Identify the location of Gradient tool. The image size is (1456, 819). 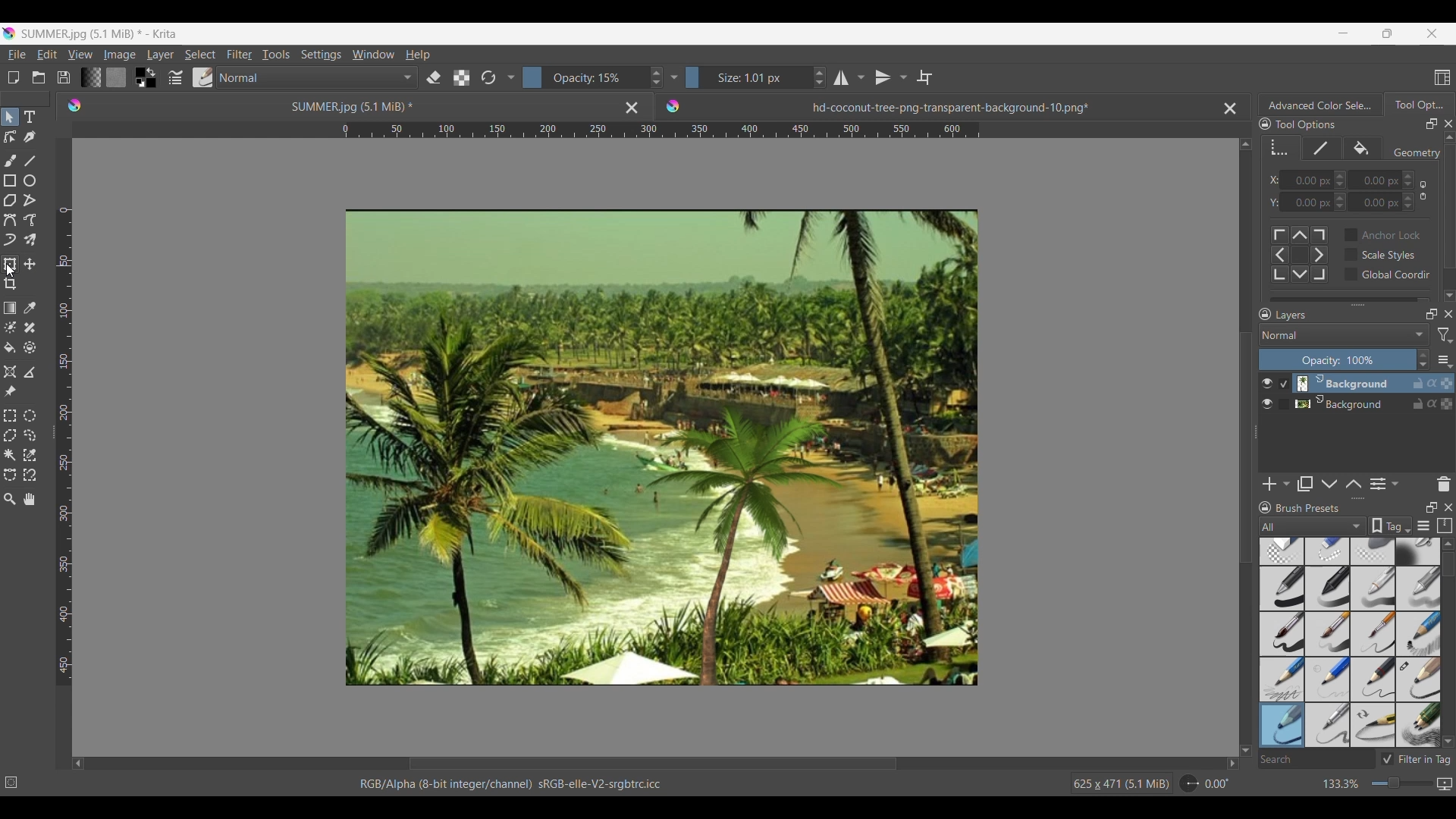
(10, 308).